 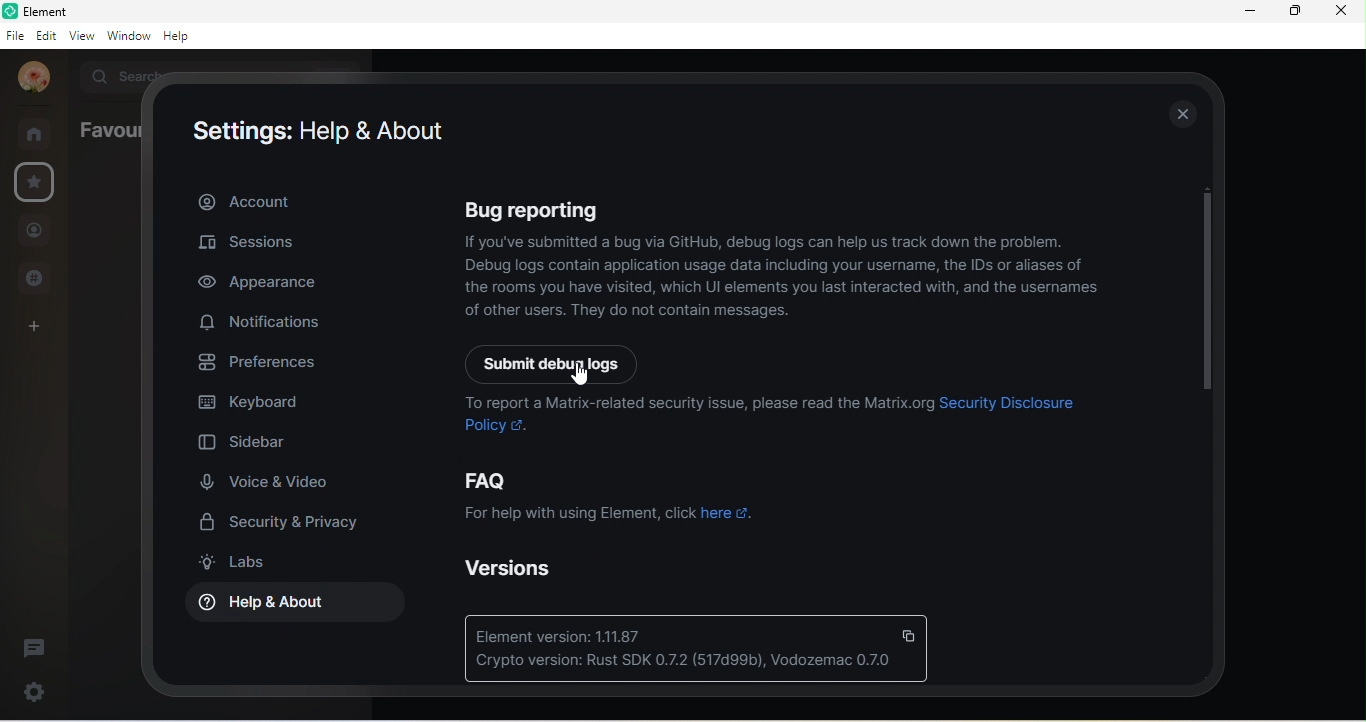 I want to click on about, so click(x=244, y=202).